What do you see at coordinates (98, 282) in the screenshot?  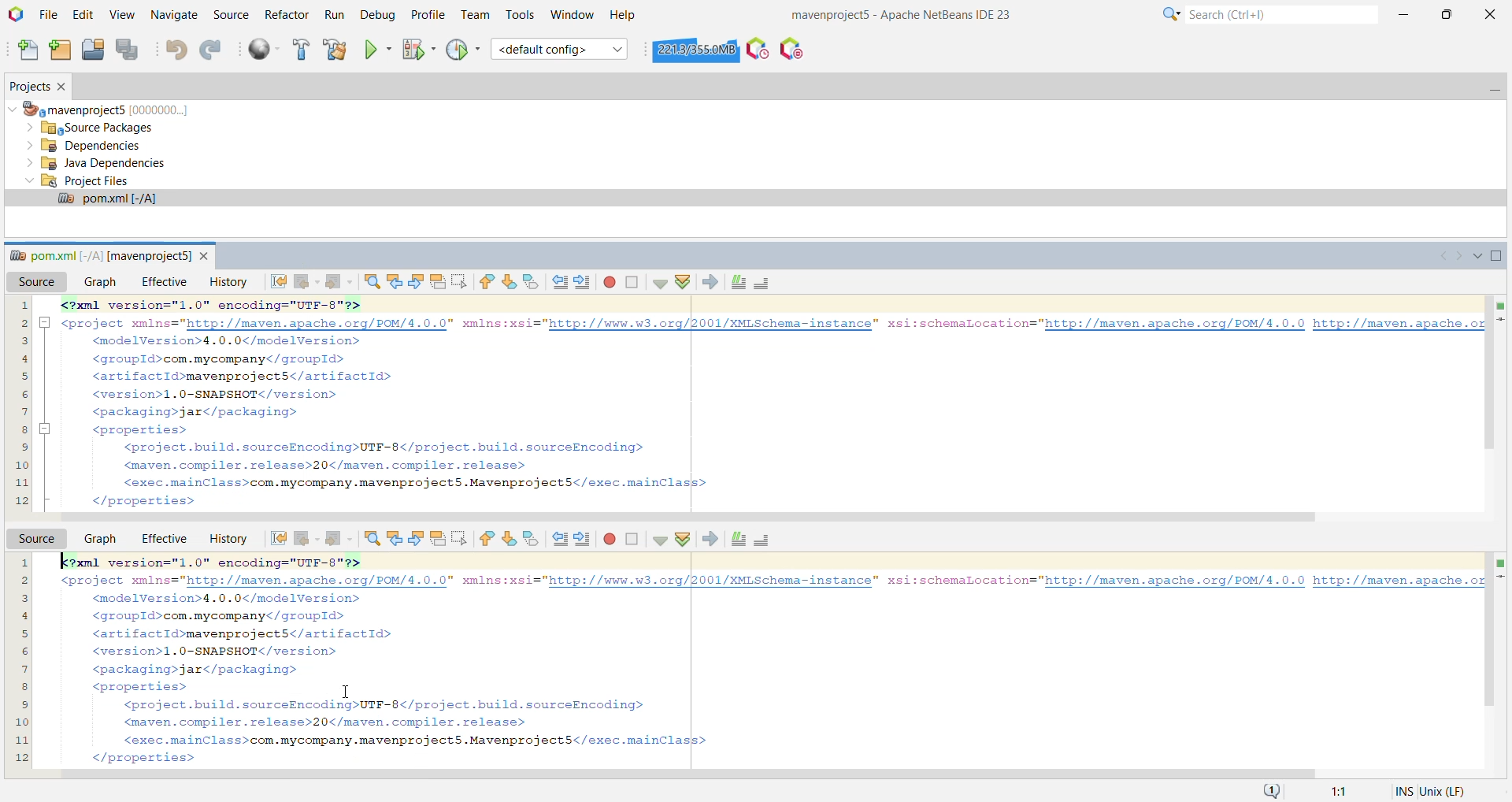 I see `Graph` at bounding box center [98, 282].